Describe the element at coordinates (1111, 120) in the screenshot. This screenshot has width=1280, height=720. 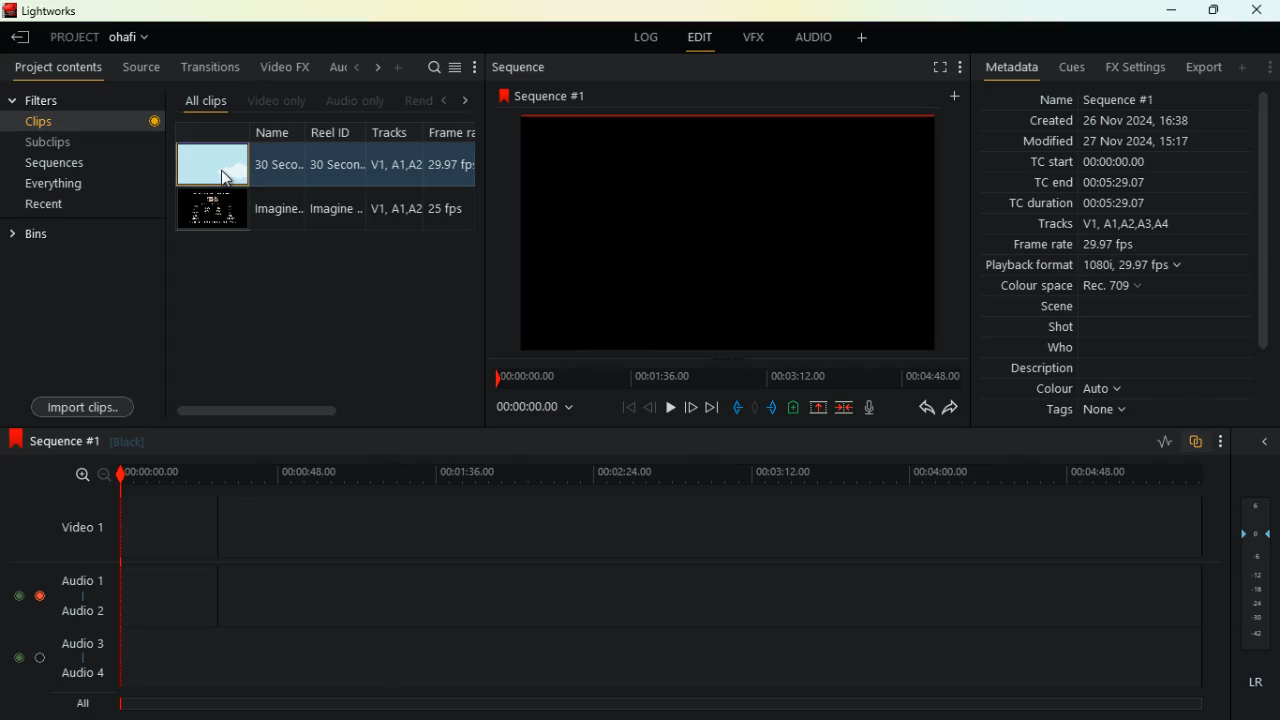
I see `created` at that location.